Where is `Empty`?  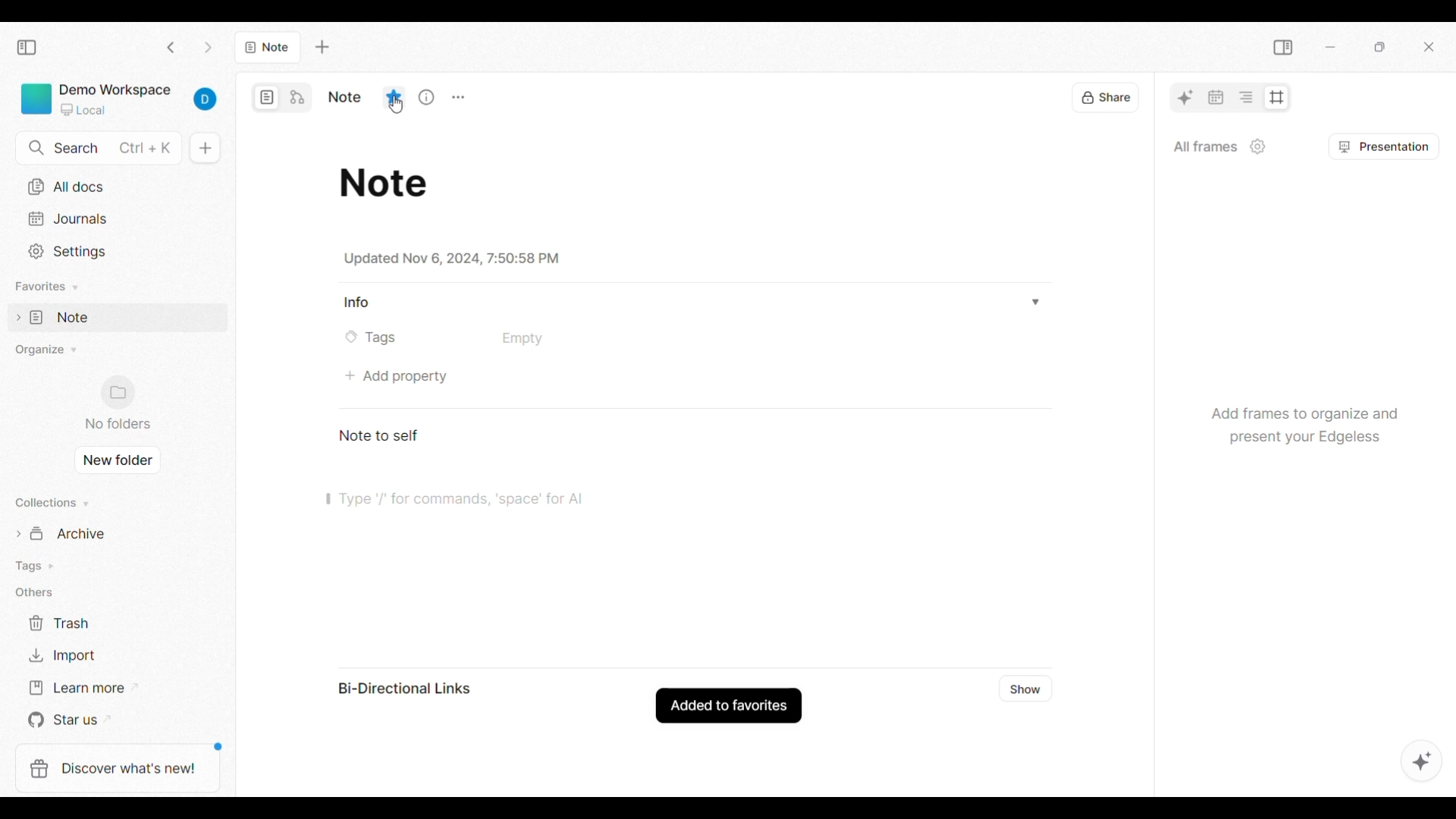 Empty is located at coordinates (522, 339).